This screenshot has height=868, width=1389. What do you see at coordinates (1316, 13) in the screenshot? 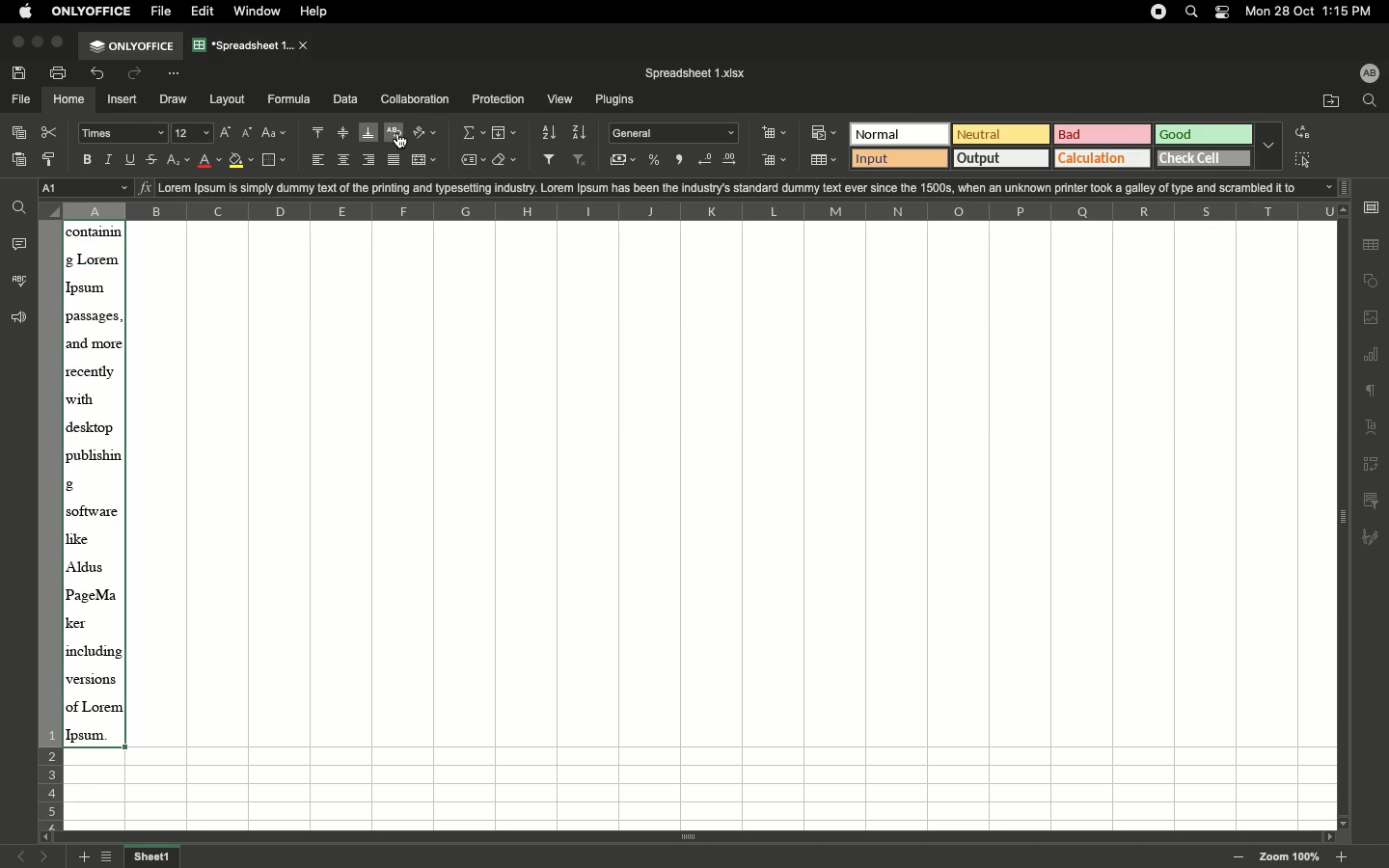
I see `Date/time` at bounding box center [1316, 13].